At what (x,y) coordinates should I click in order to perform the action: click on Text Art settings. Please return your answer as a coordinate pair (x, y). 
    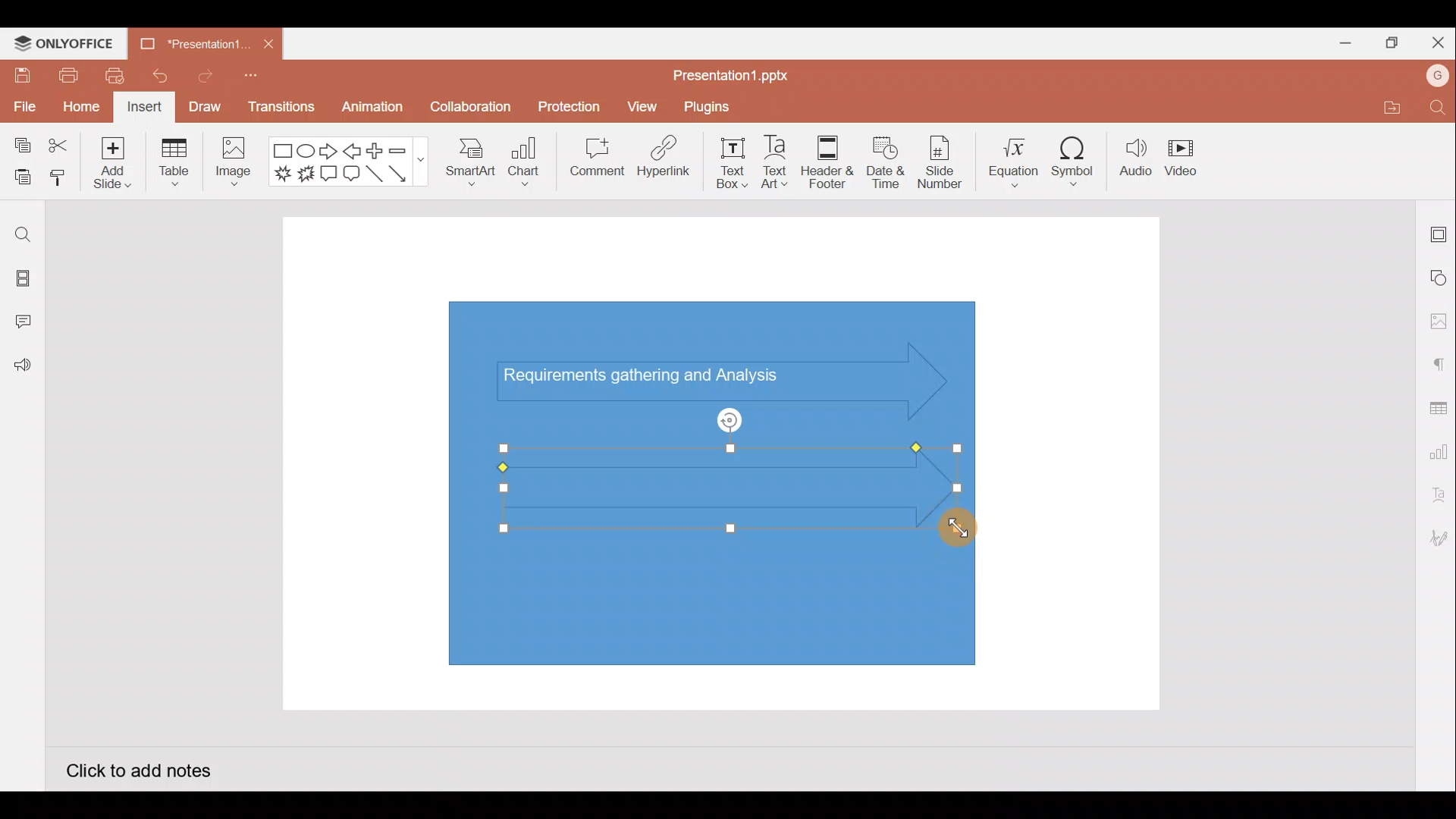
    Looking at the image, I should click on (1437, 495).